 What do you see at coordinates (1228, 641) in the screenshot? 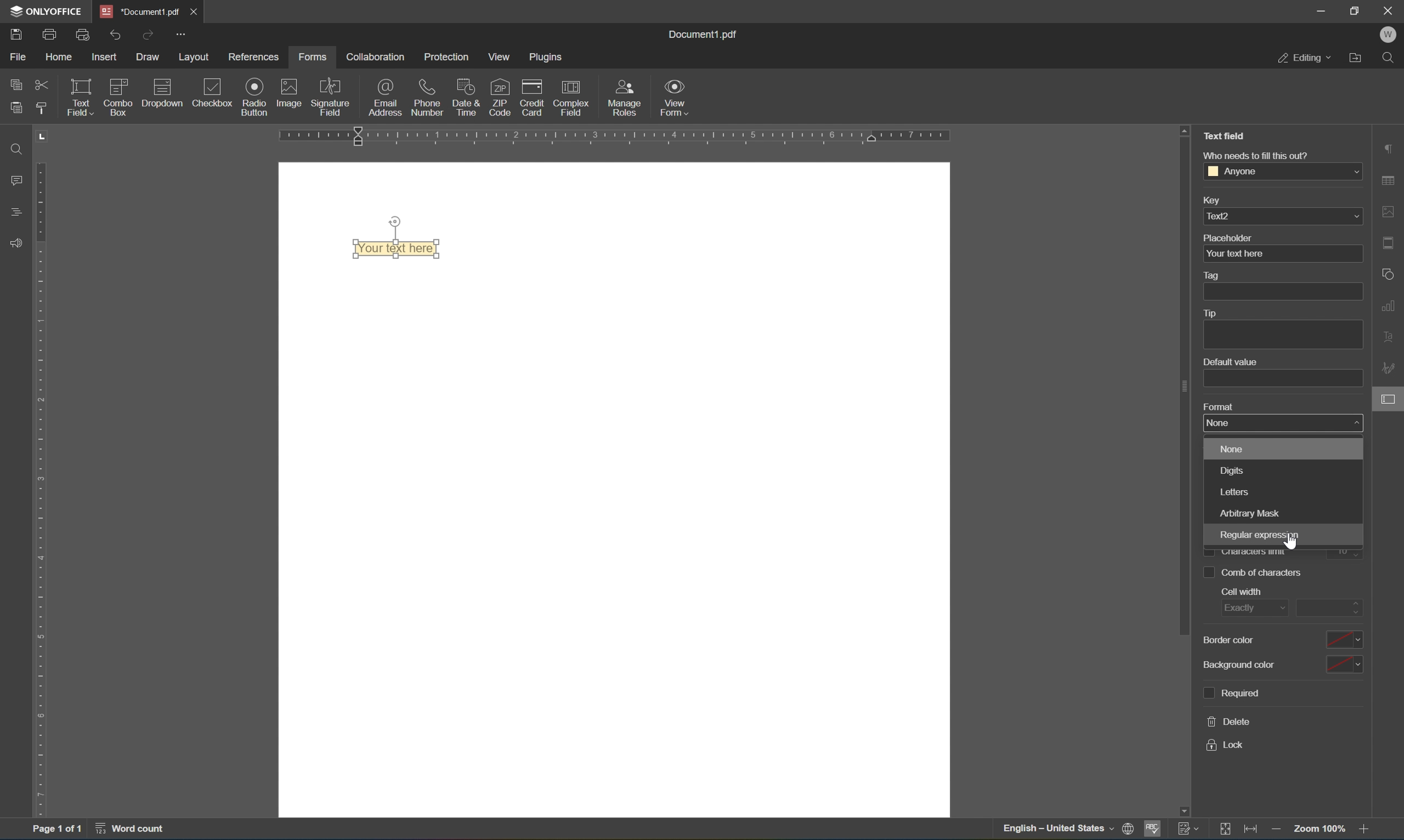
I see `border color` at bounding box center [1228, 641].